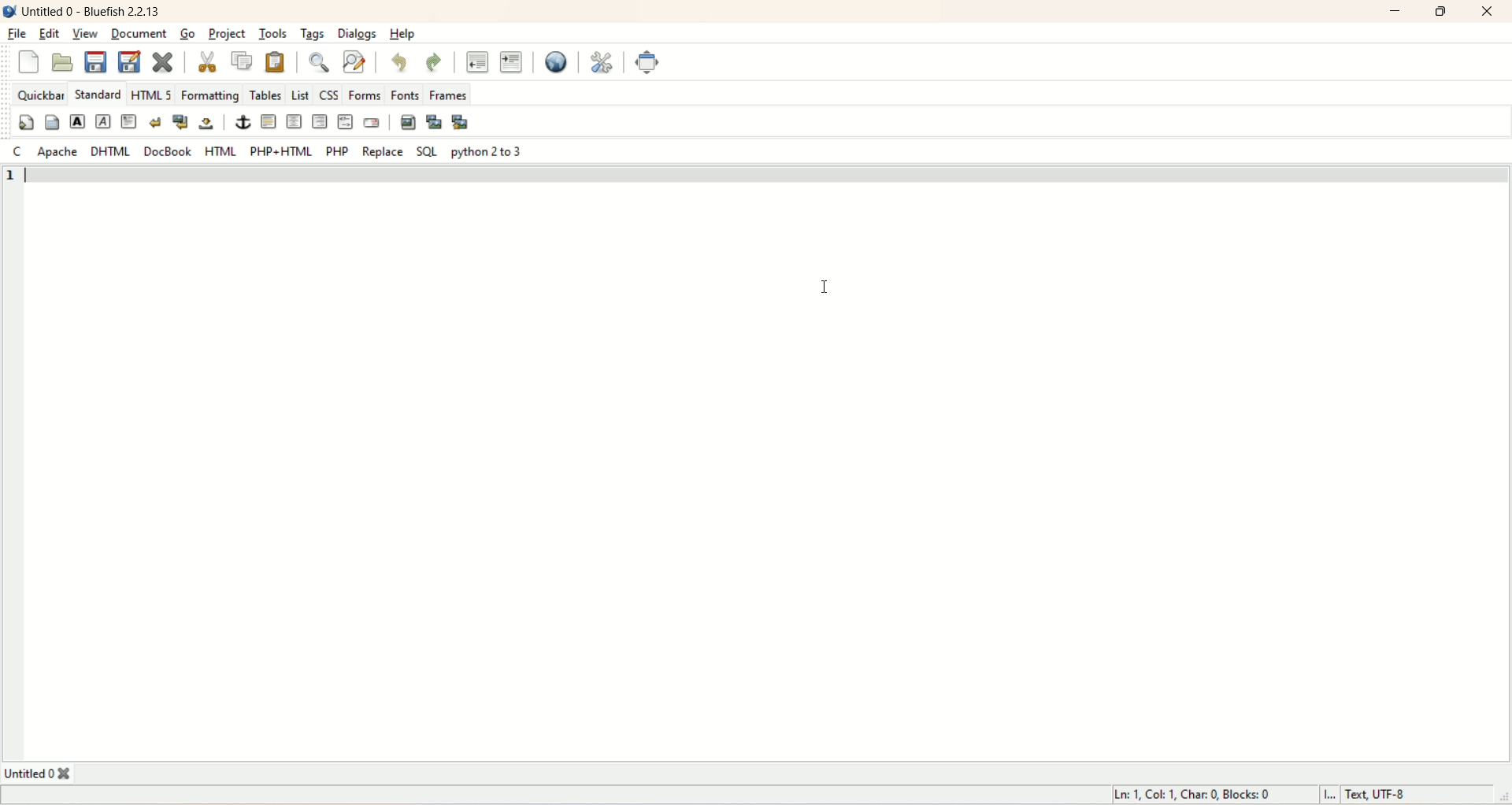 The width and height of the screenshot is (1512, 805). I want to click on paste, so click(276, 61).